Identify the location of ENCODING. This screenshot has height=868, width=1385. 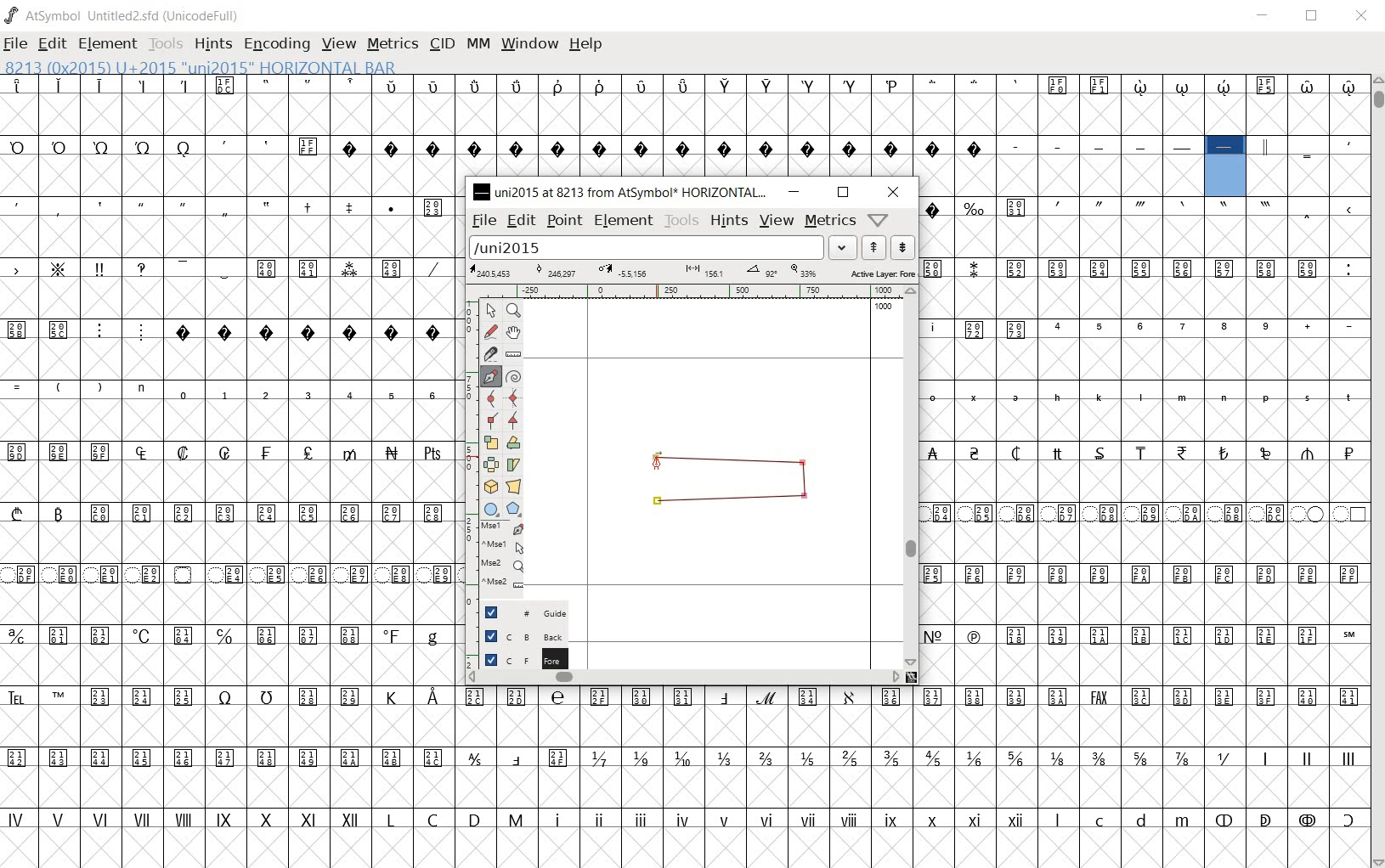
(277, 44).